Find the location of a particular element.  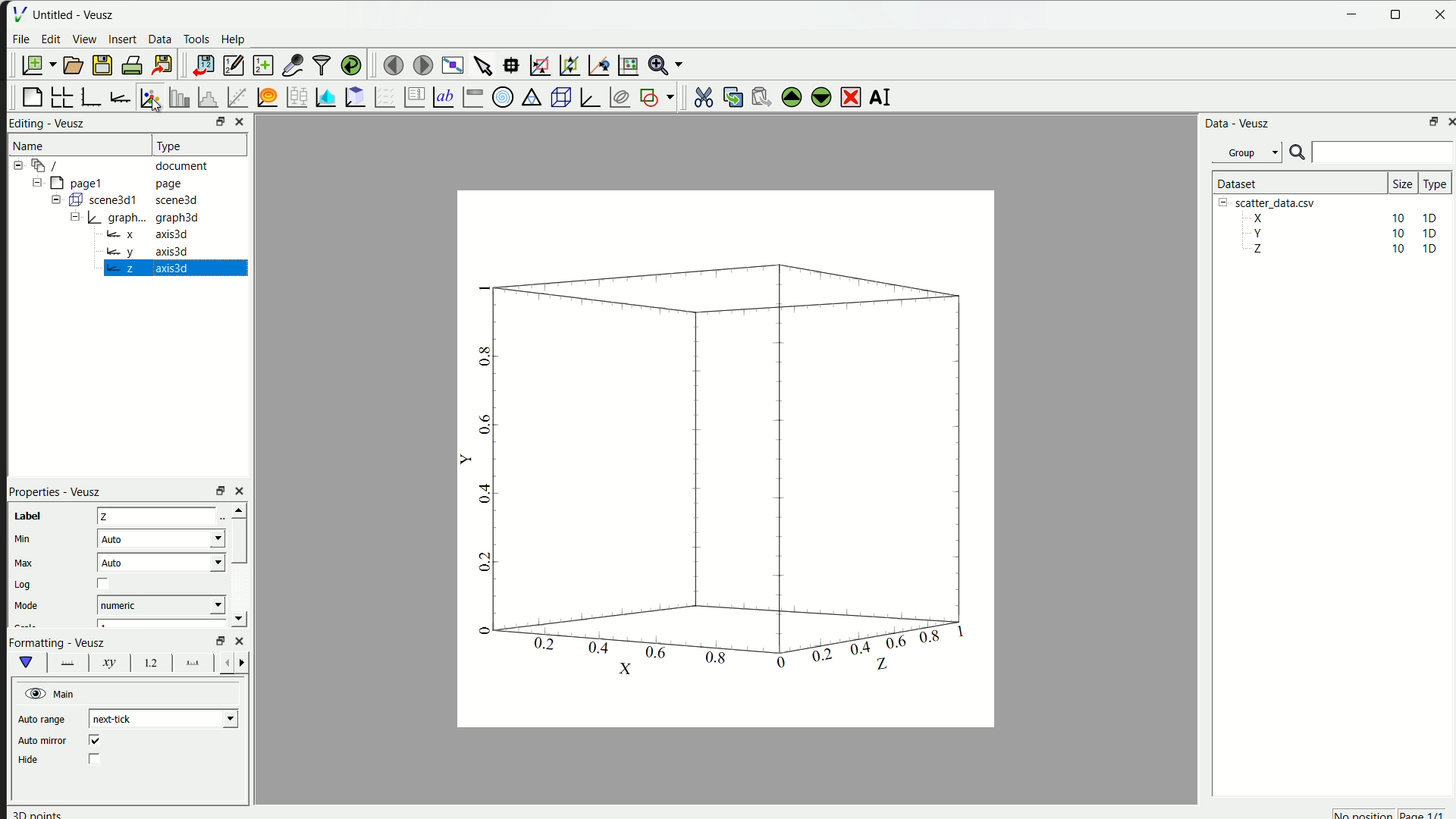

close is located at coordinates (1442, 15).